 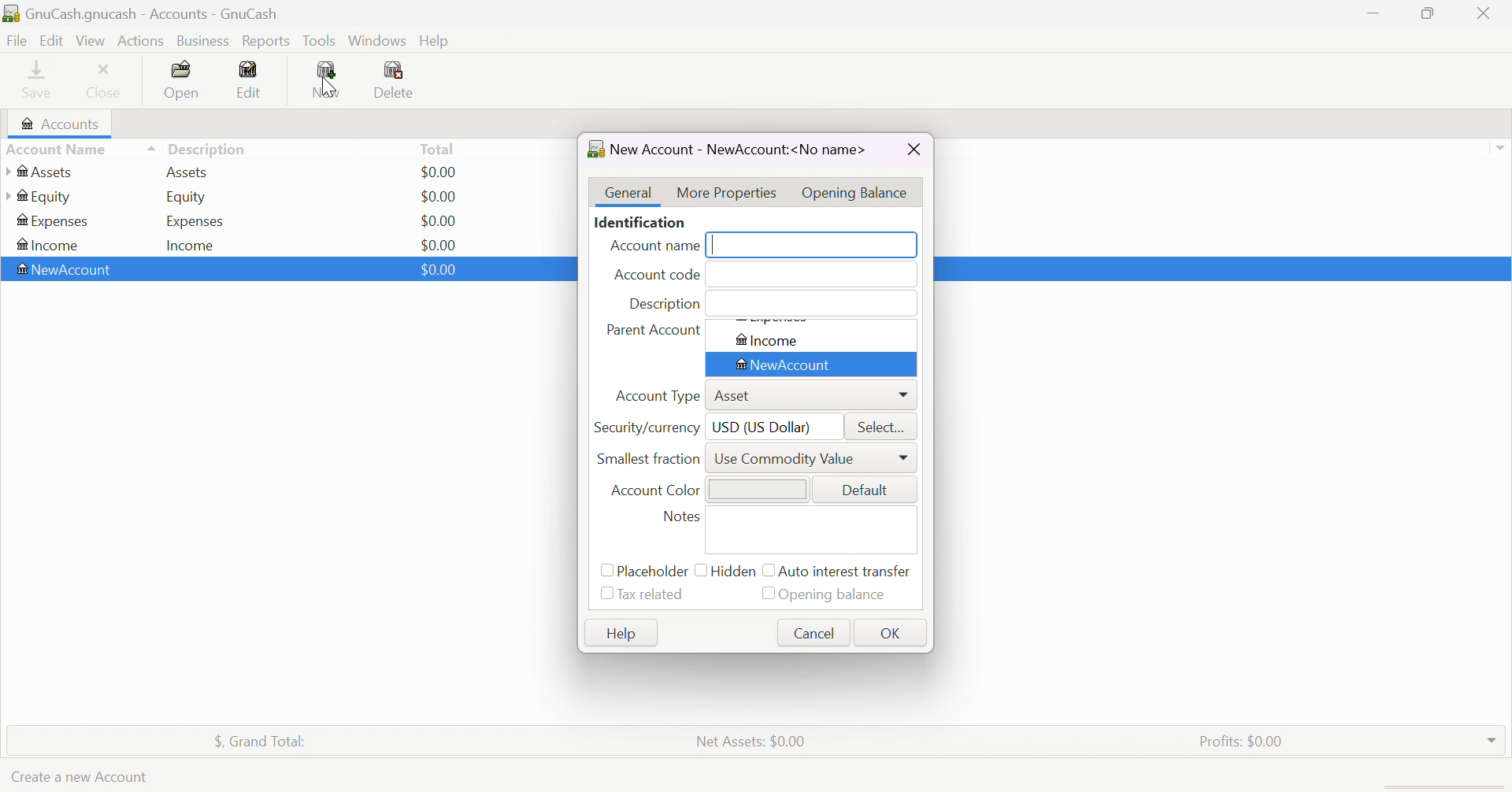 I want to click on Account Color, so click(x=655, y=492).